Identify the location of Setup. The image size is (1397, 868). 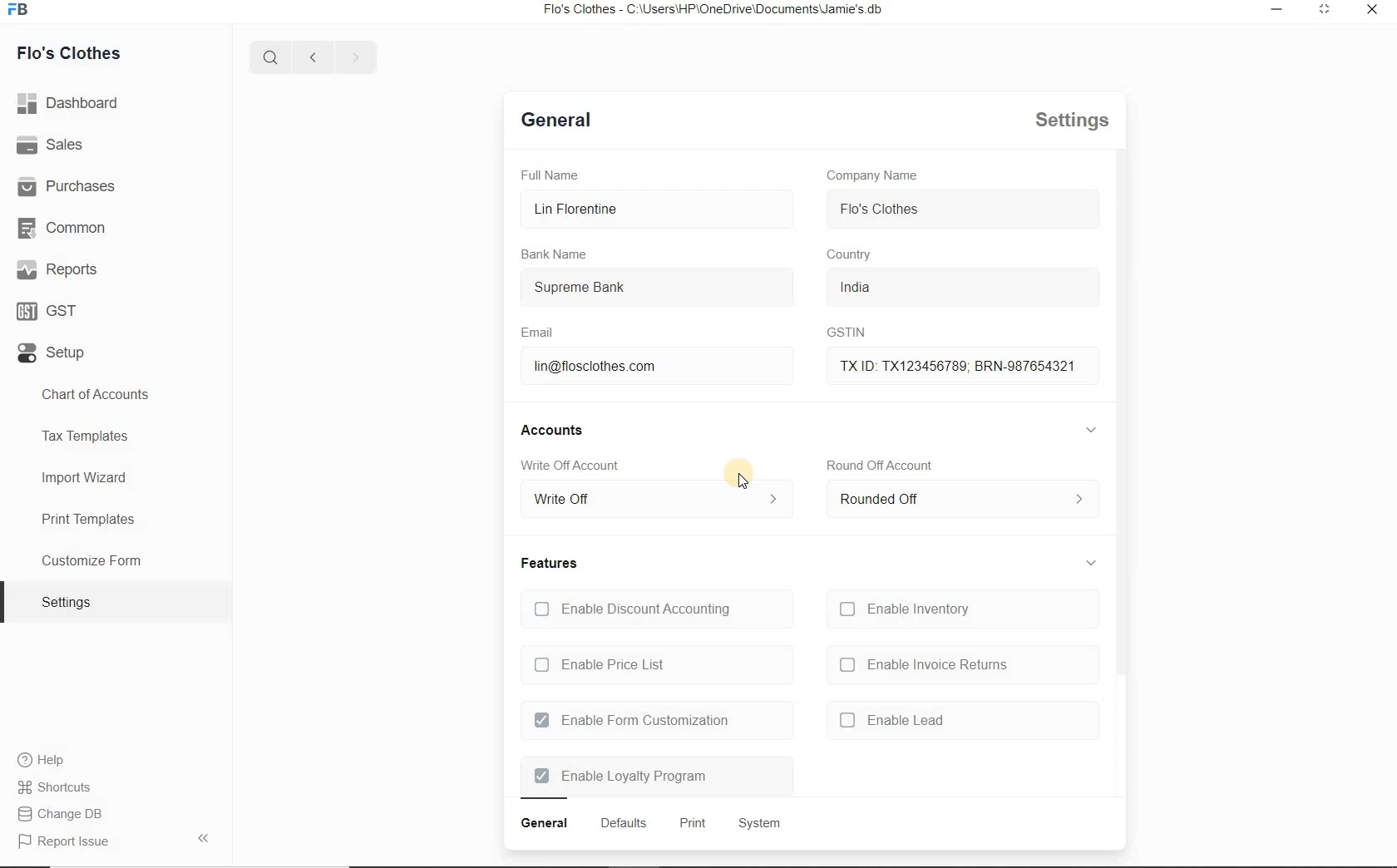
(52, 353).